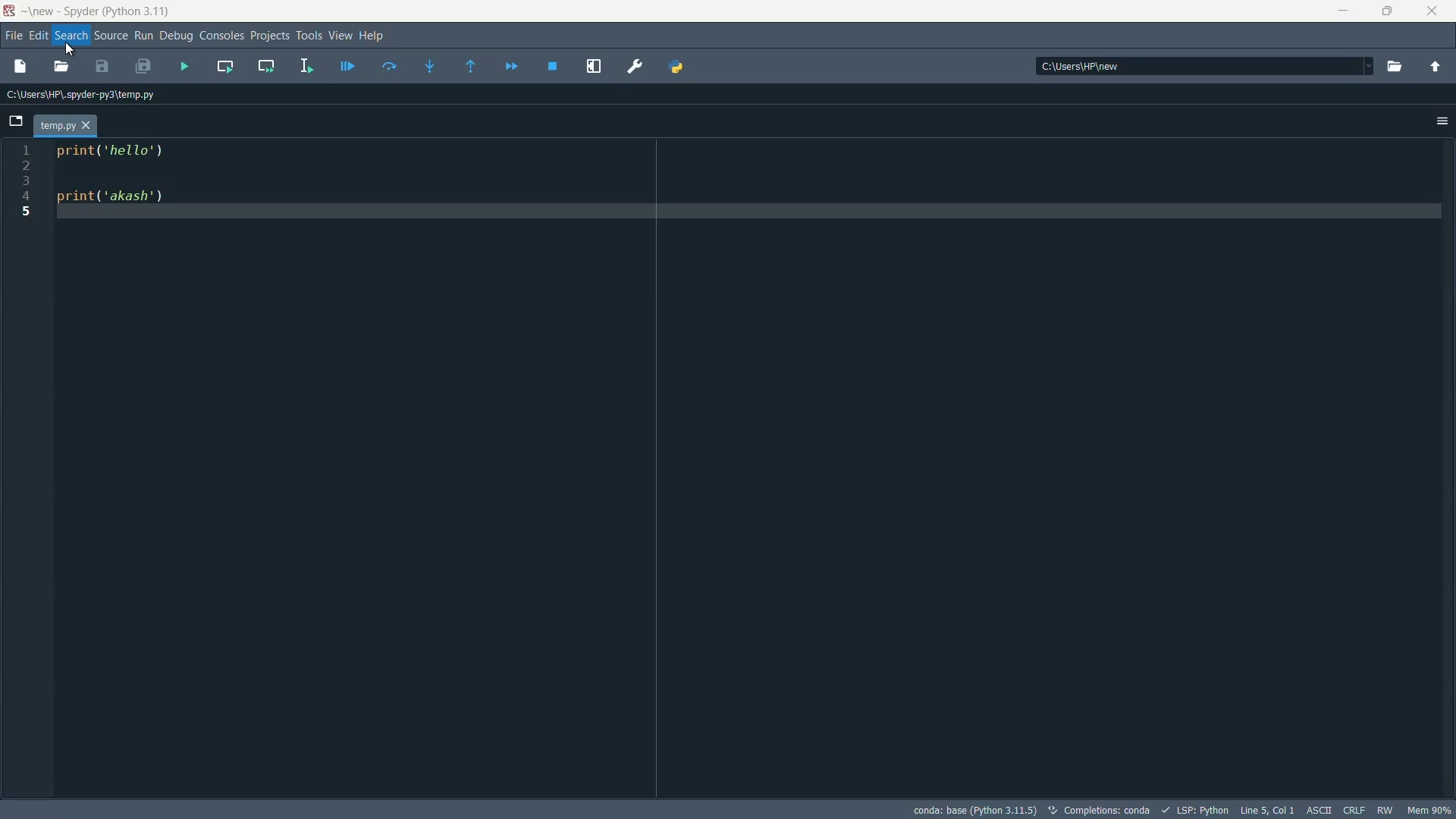 Image resolution: width=1456 pixels, height=819 pixels. Describe the element at coordinates (1429, 810) in the screenshot. I see `memory usage: 63%` at that location.